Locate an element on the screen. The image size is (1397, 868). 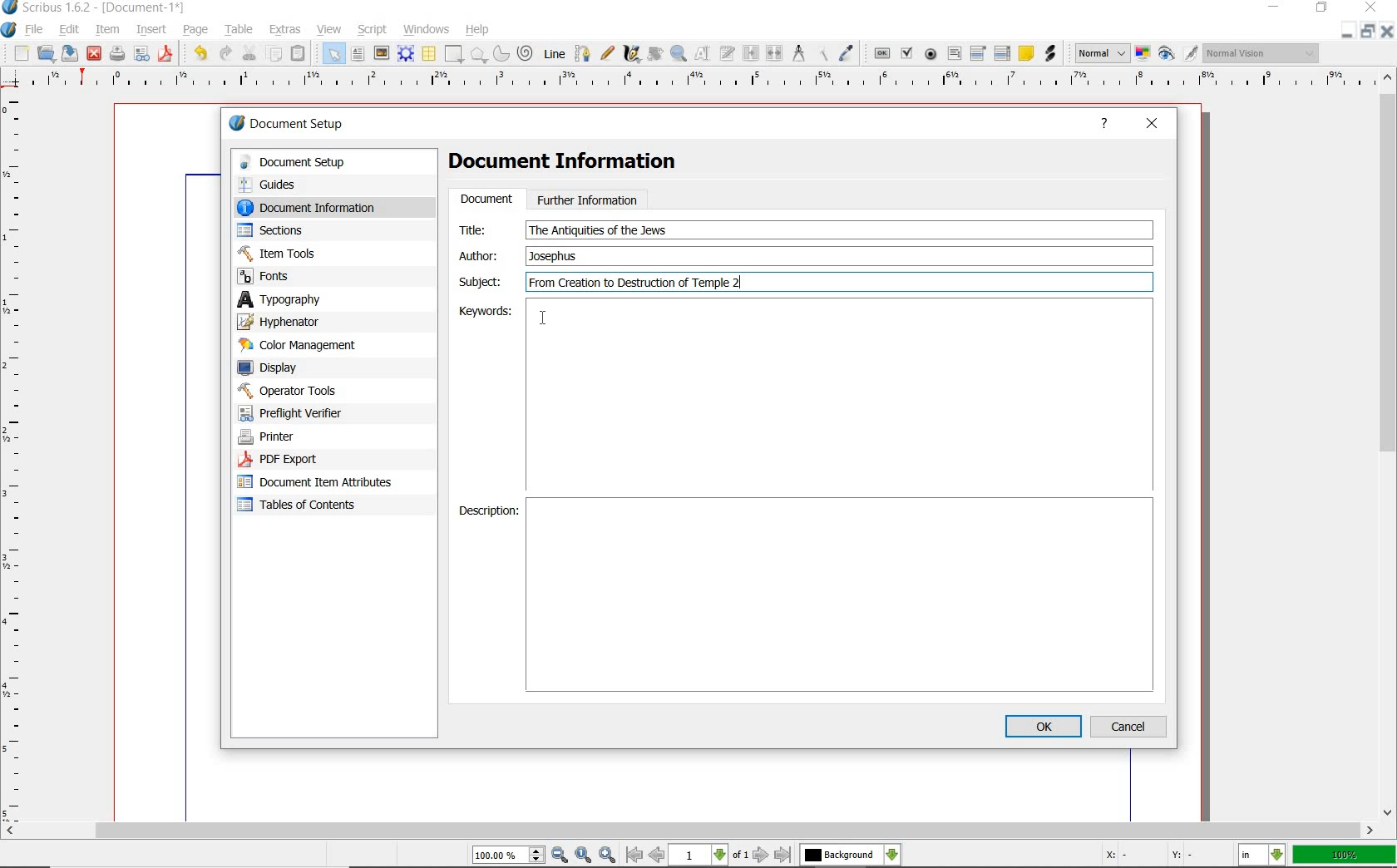
windows is located at coordinates (427, 30).